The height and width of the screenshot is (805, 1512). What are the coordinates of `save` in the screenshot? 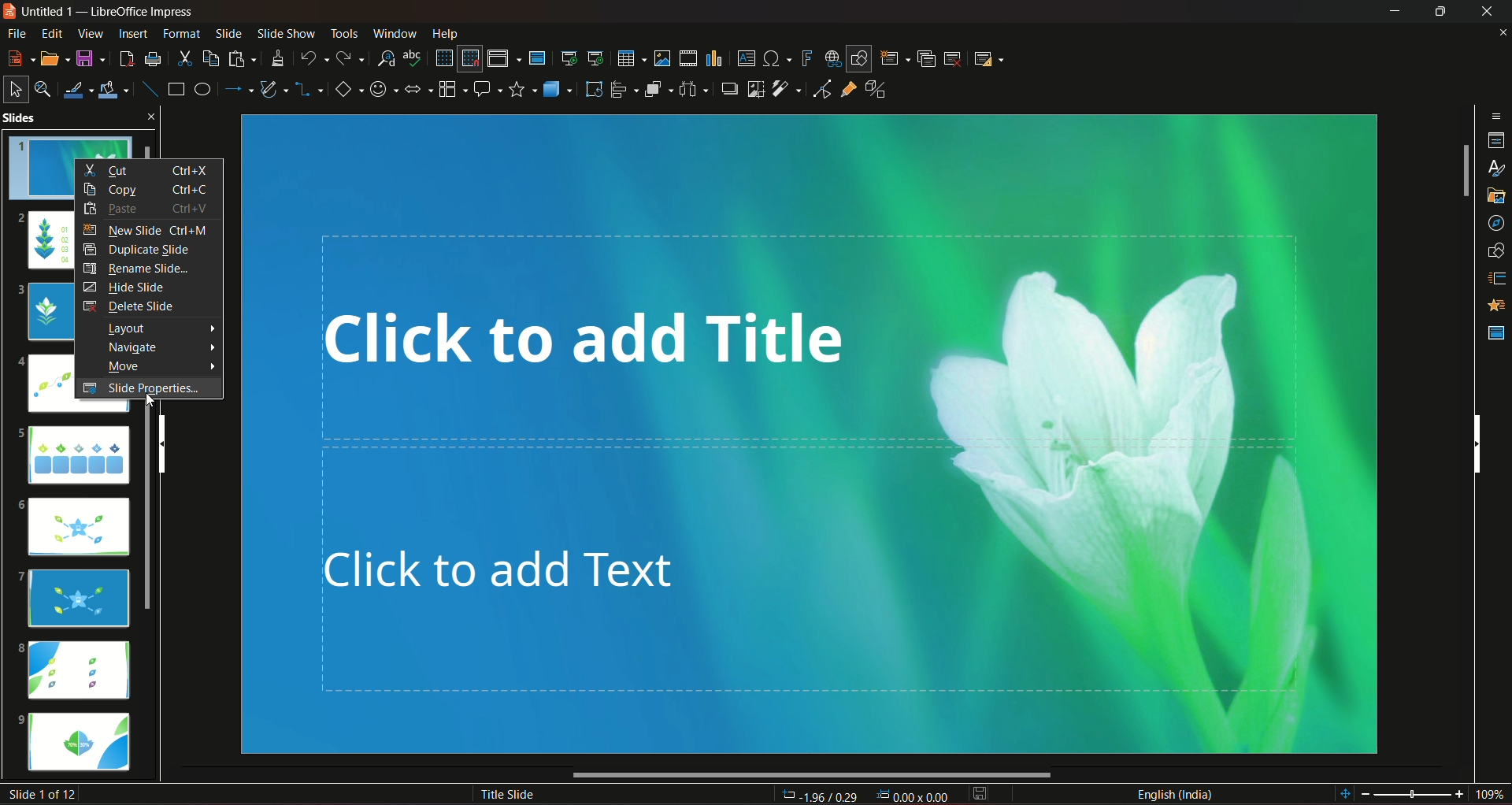 It's located at (91, 57).